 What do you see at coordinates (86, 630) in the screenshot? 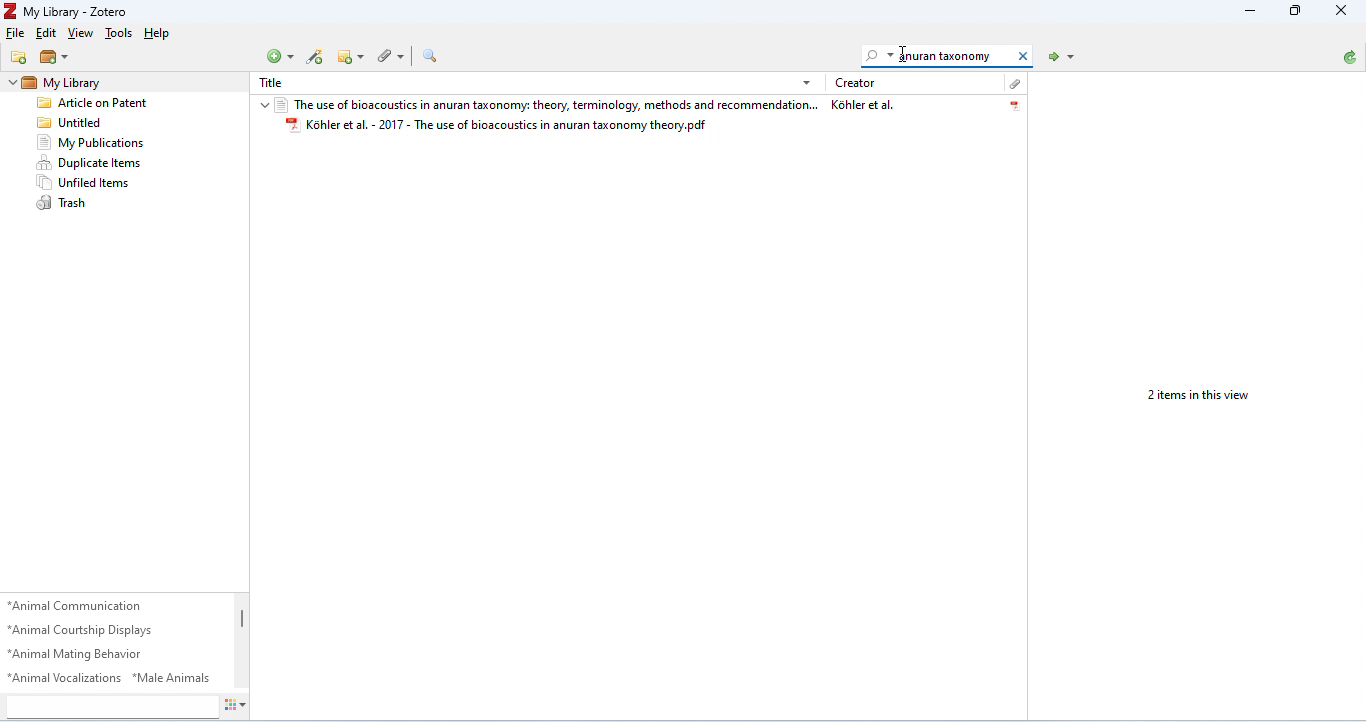
I see `“Animal Courtship Displays` at bounding box center [86, 630].